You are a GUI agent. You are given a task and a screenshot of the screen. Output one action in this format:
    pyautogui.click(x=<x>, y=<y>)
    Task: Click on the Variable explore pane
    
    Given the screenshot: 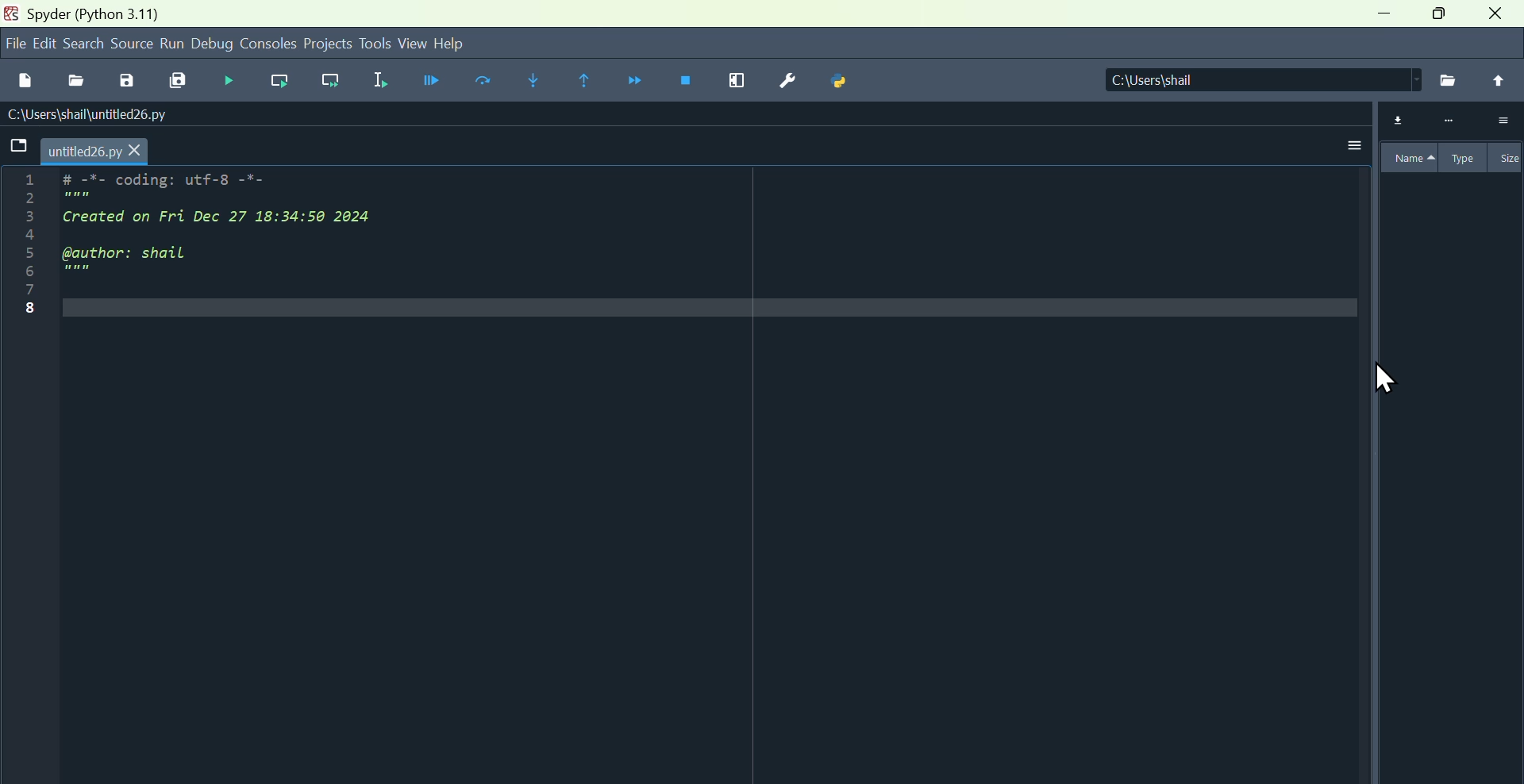 What is the action you would take?
    pyautogui.click(x=1448, y=364)
    